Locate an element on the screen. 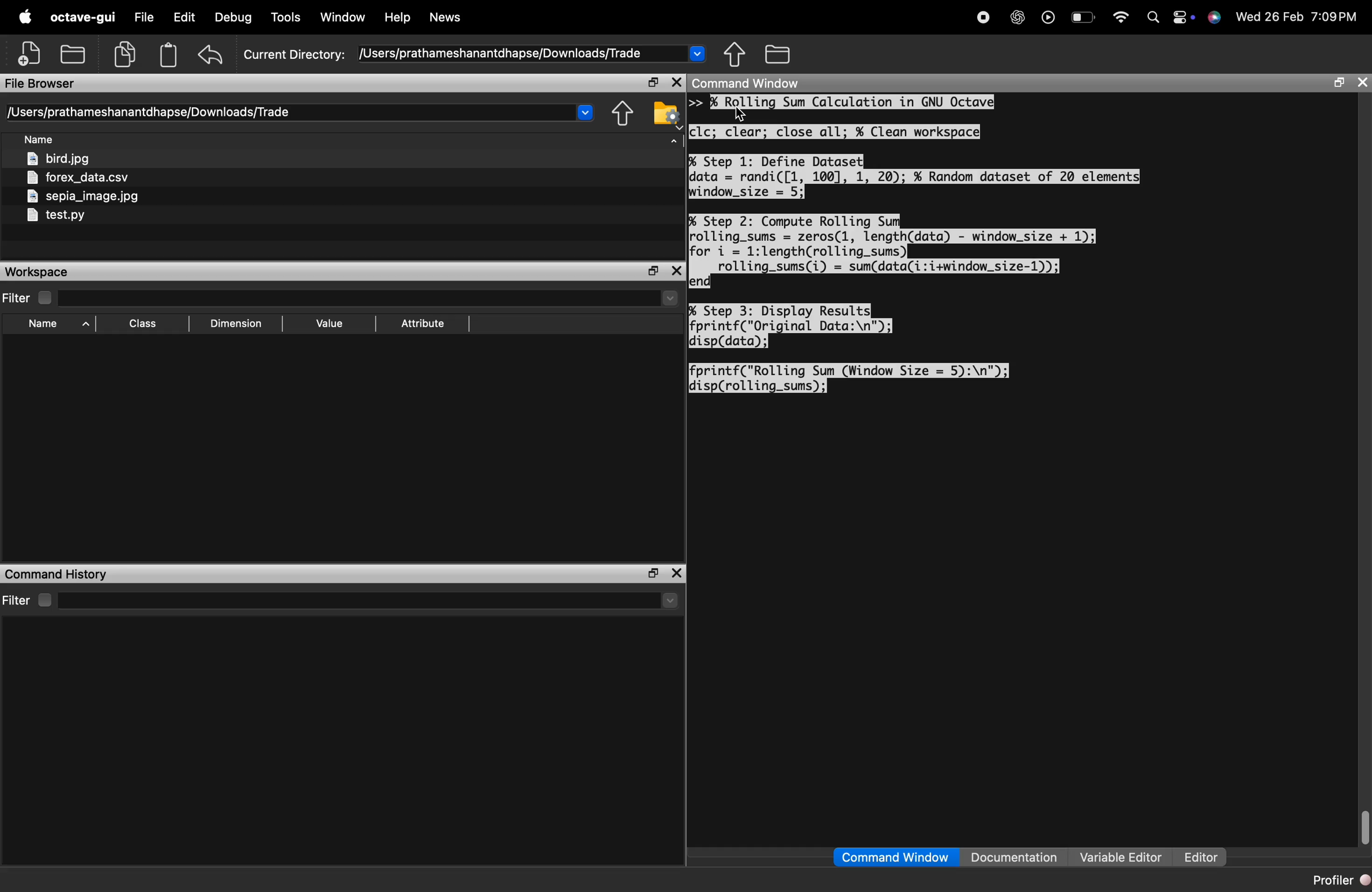  paste is located at coordinates (169, 54).